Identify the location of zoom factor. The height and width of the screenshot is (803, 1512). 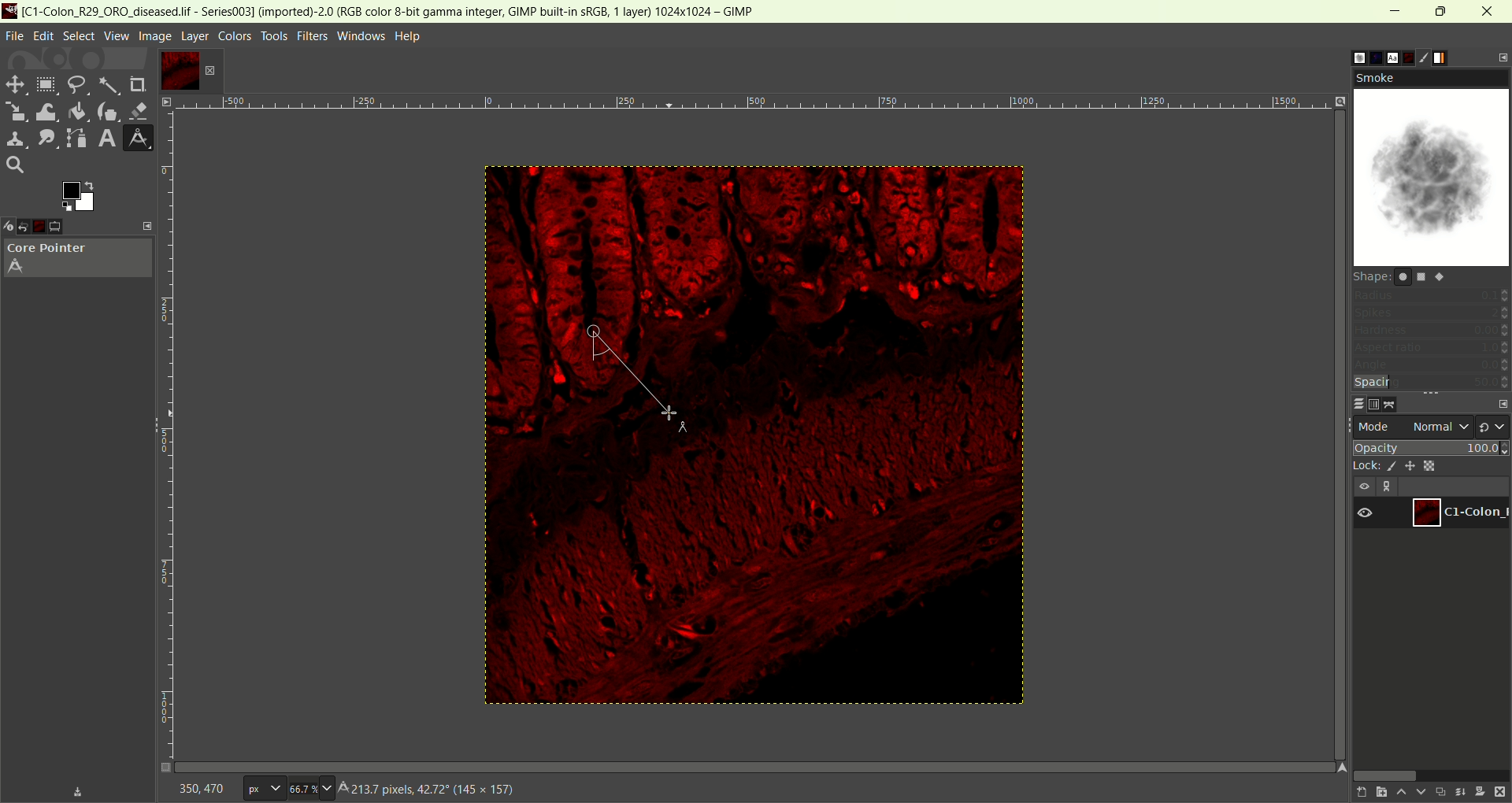
(312, 787).